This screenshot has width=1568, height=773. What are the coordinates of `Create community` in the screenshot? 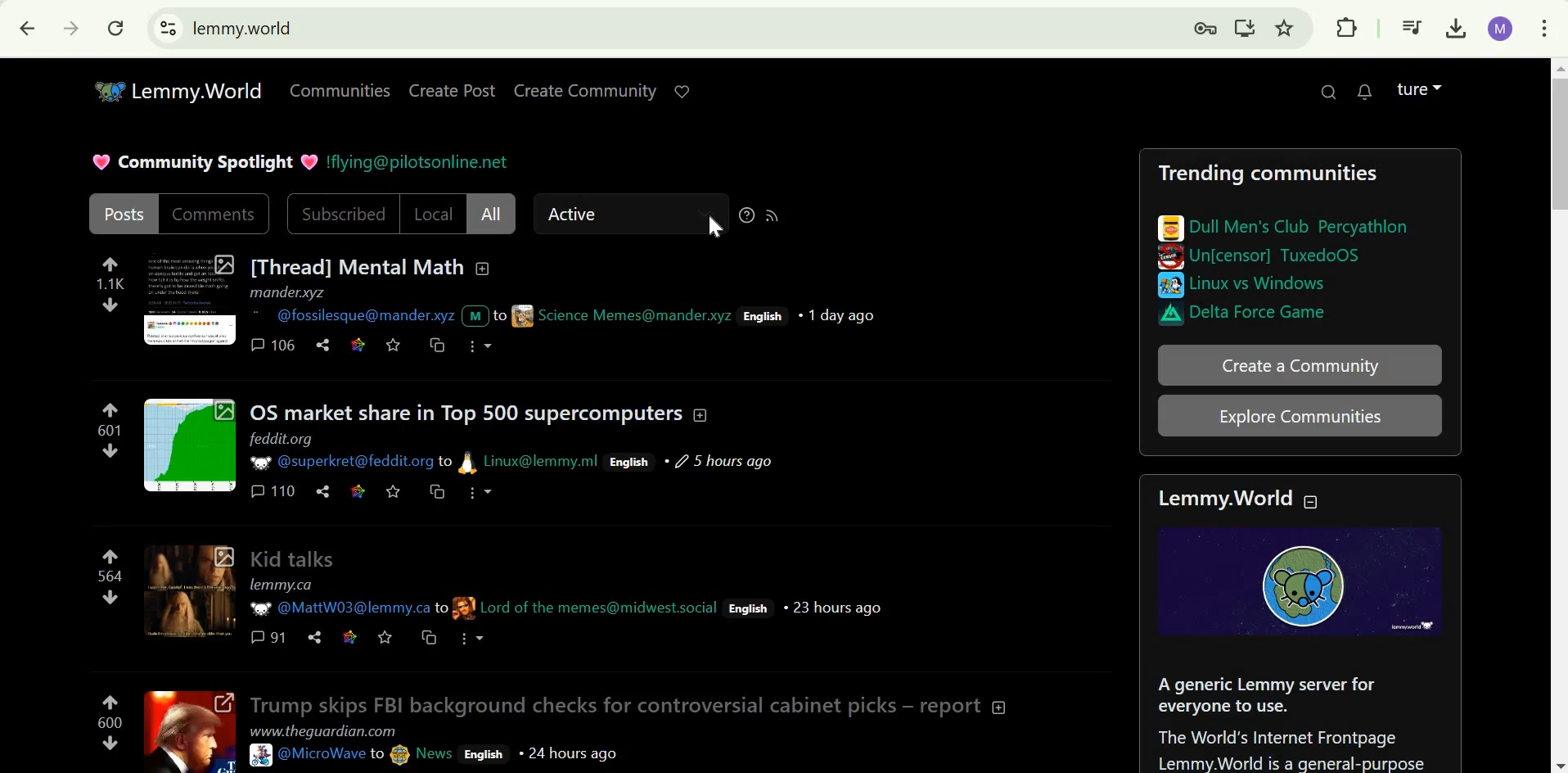 It's located at (1300, 366).